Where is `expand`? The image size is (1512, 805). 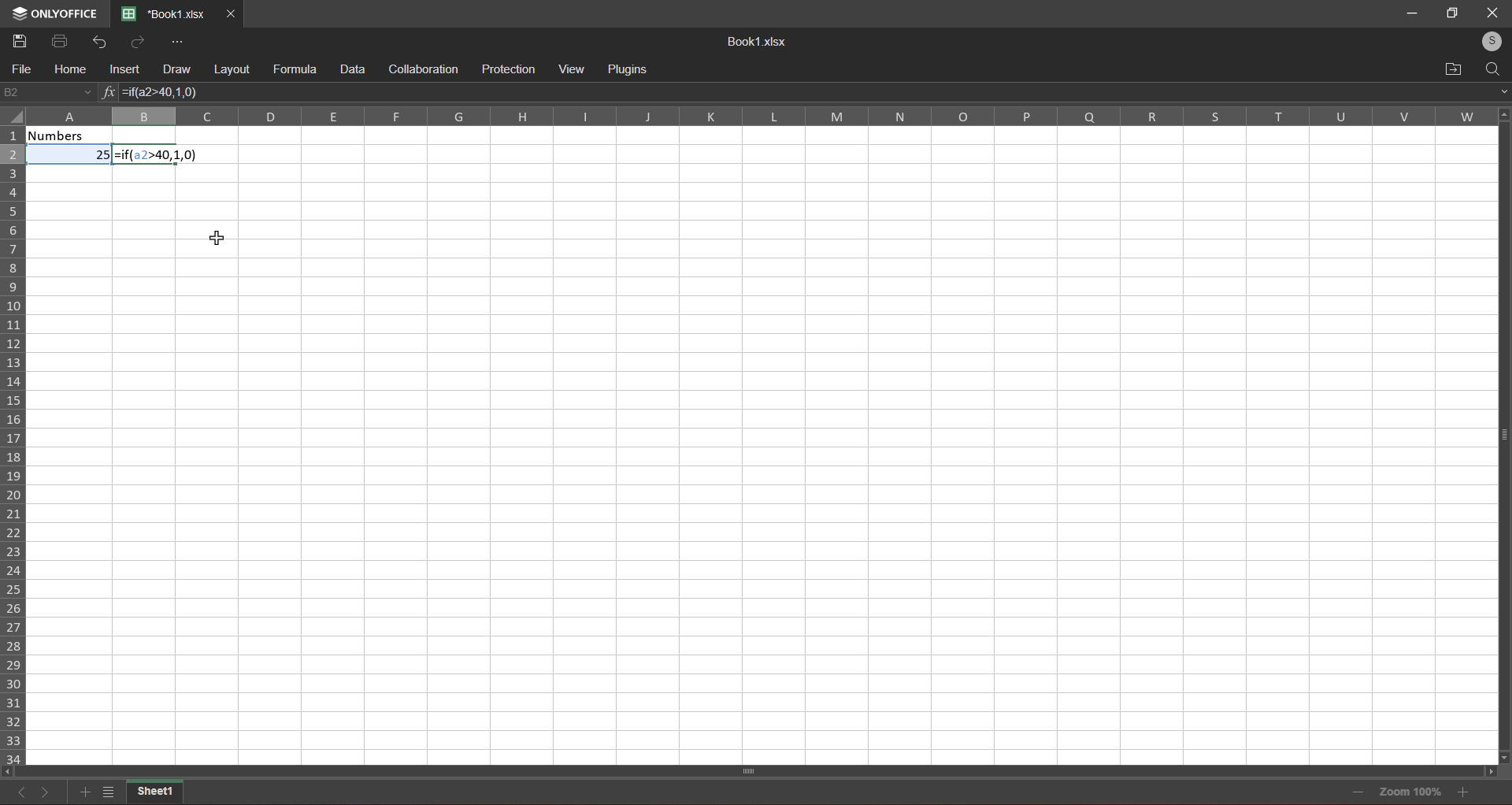 expand is located at coordinates (1499, 91).